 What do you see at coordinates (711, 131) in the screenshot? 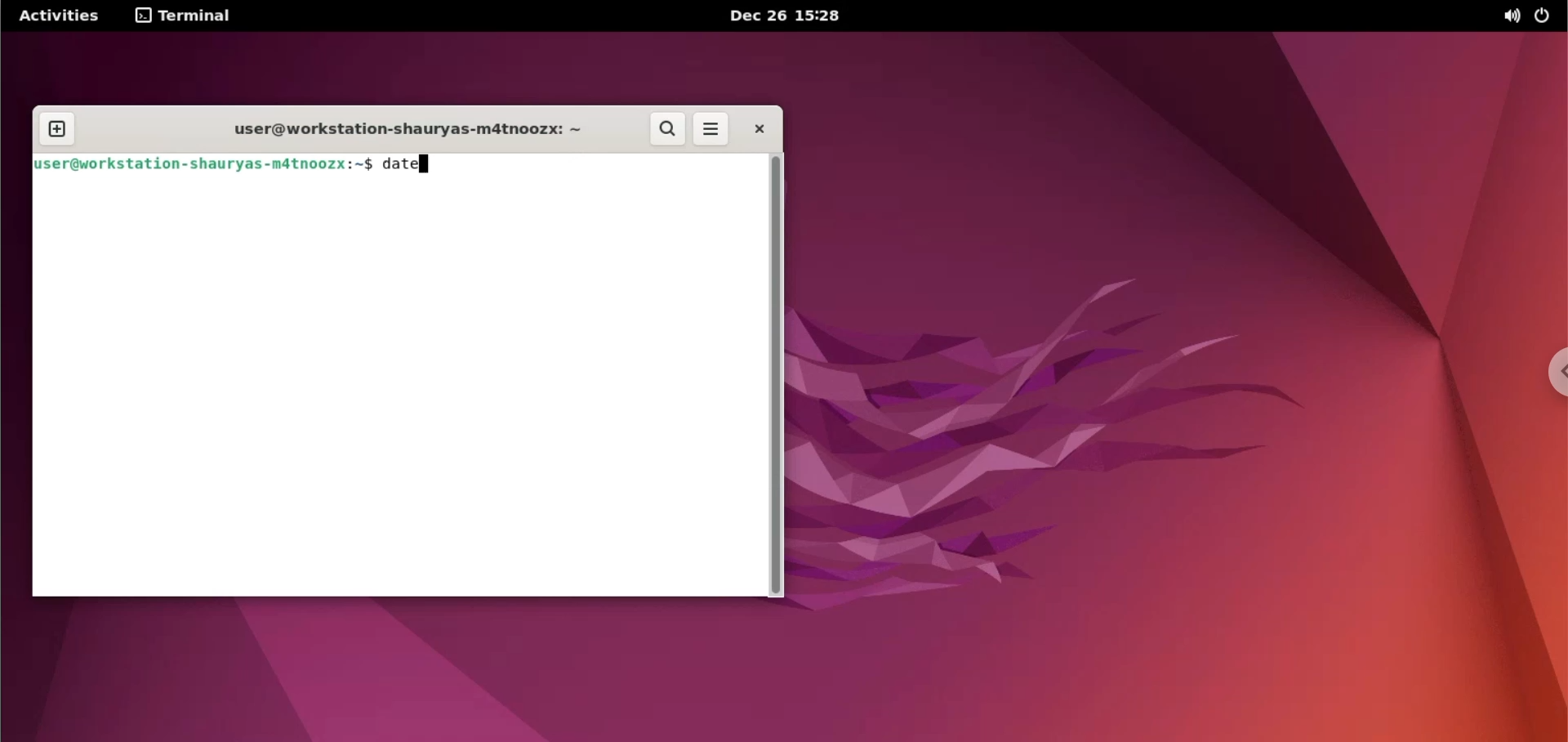
I see `more options` at bounding box center [711, 131].